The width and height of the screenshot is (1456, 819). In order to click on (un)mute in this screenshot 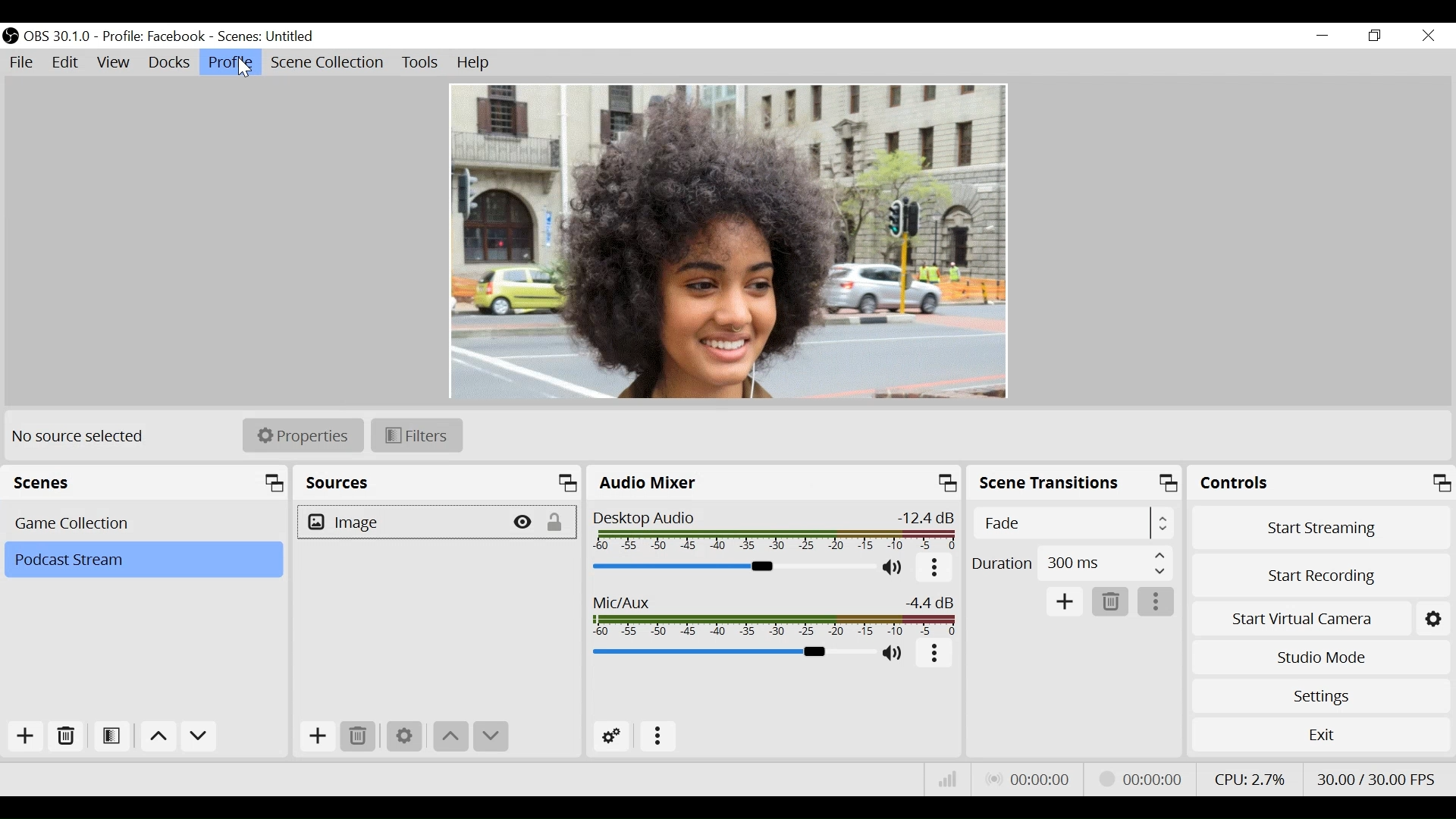, I will do `click(895, 654)`.